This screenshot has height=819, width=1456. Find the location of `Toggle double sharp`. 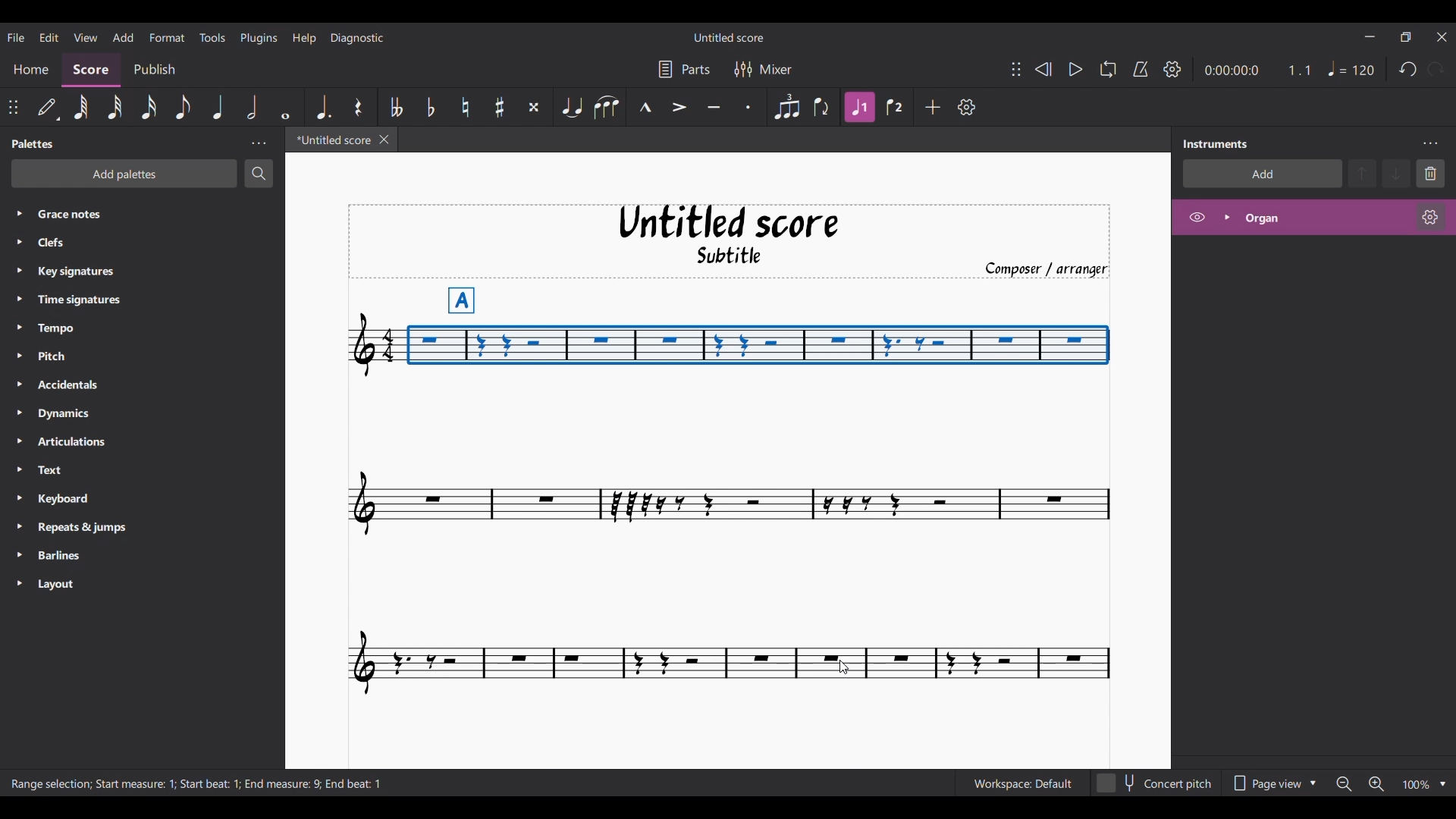

Toggle double sharp is located at coordinates (534, 107).